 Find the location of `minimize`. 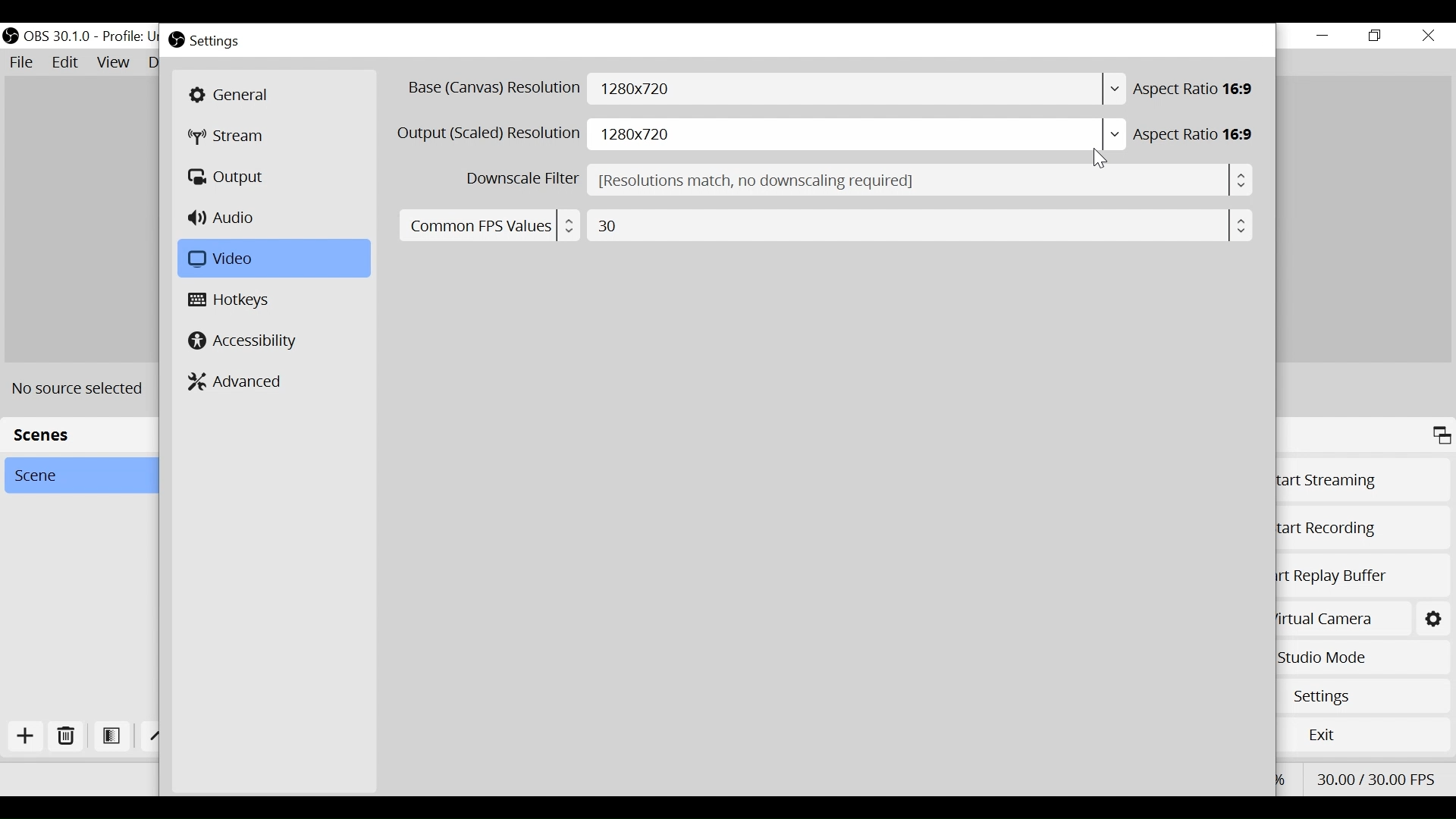

minimize is located at coordinates (1323, 36).